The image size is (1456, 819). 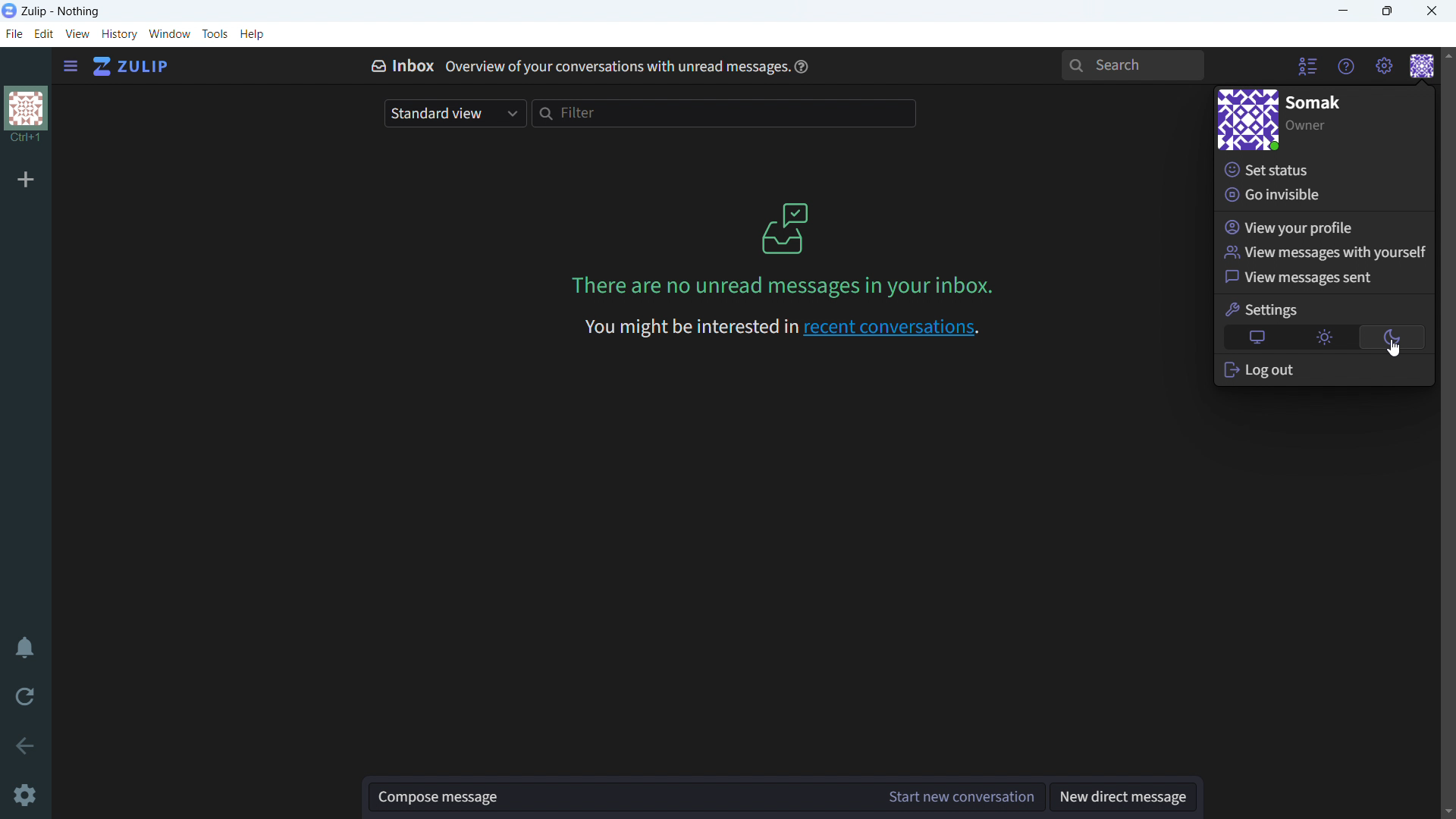 I want to click on settings, so click(x=1326, y=309).